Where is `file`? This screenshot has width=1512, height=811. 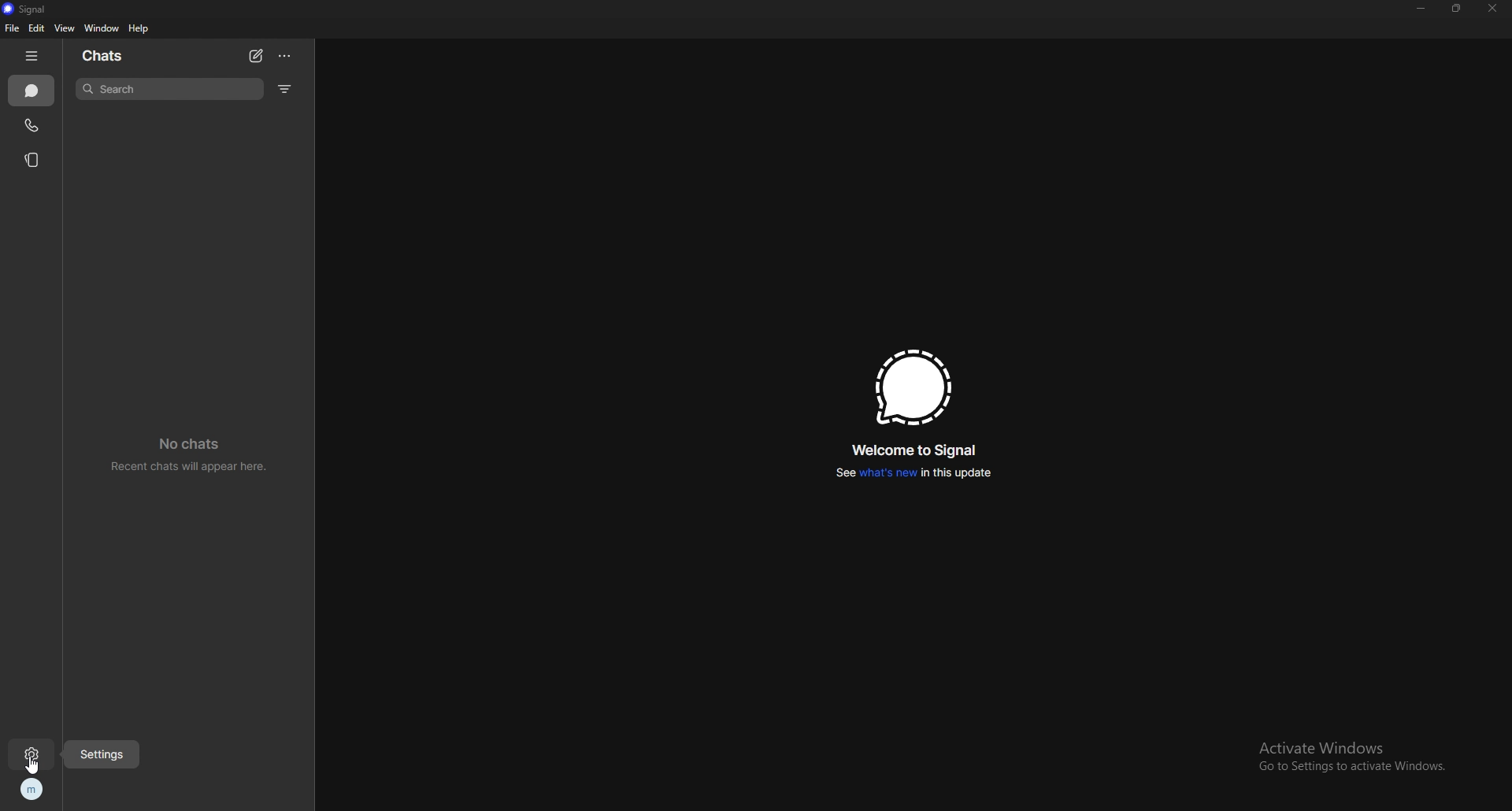 file is located at coordinates (12, 28).